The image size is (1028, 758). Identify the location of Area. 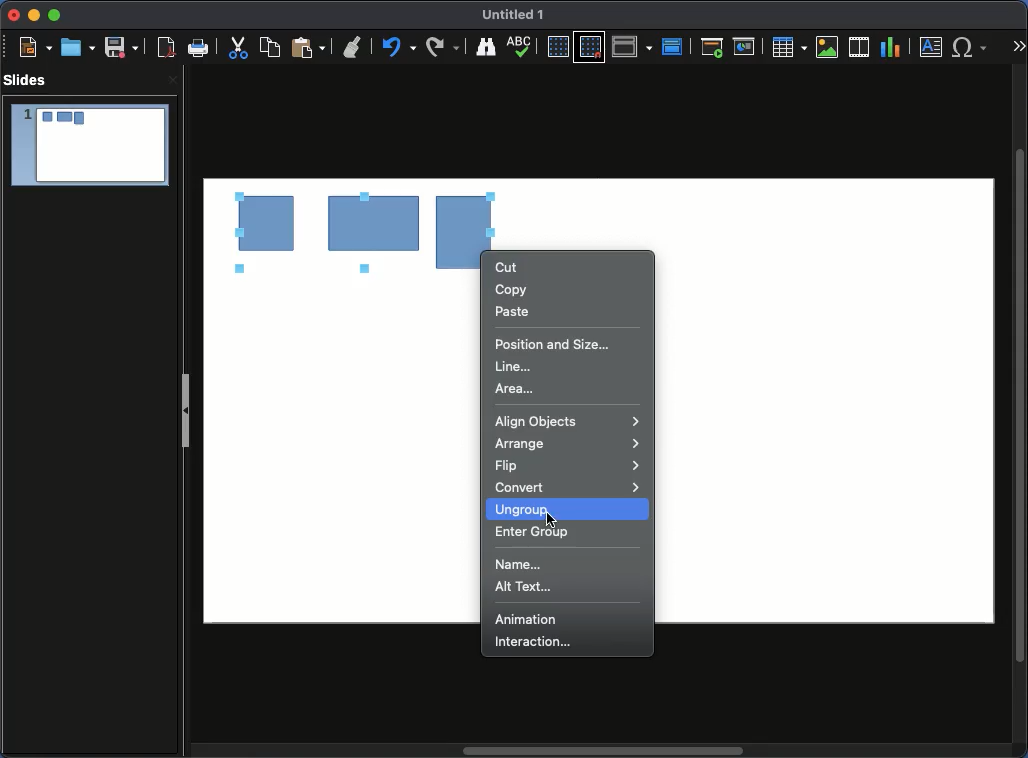
(518, 389).